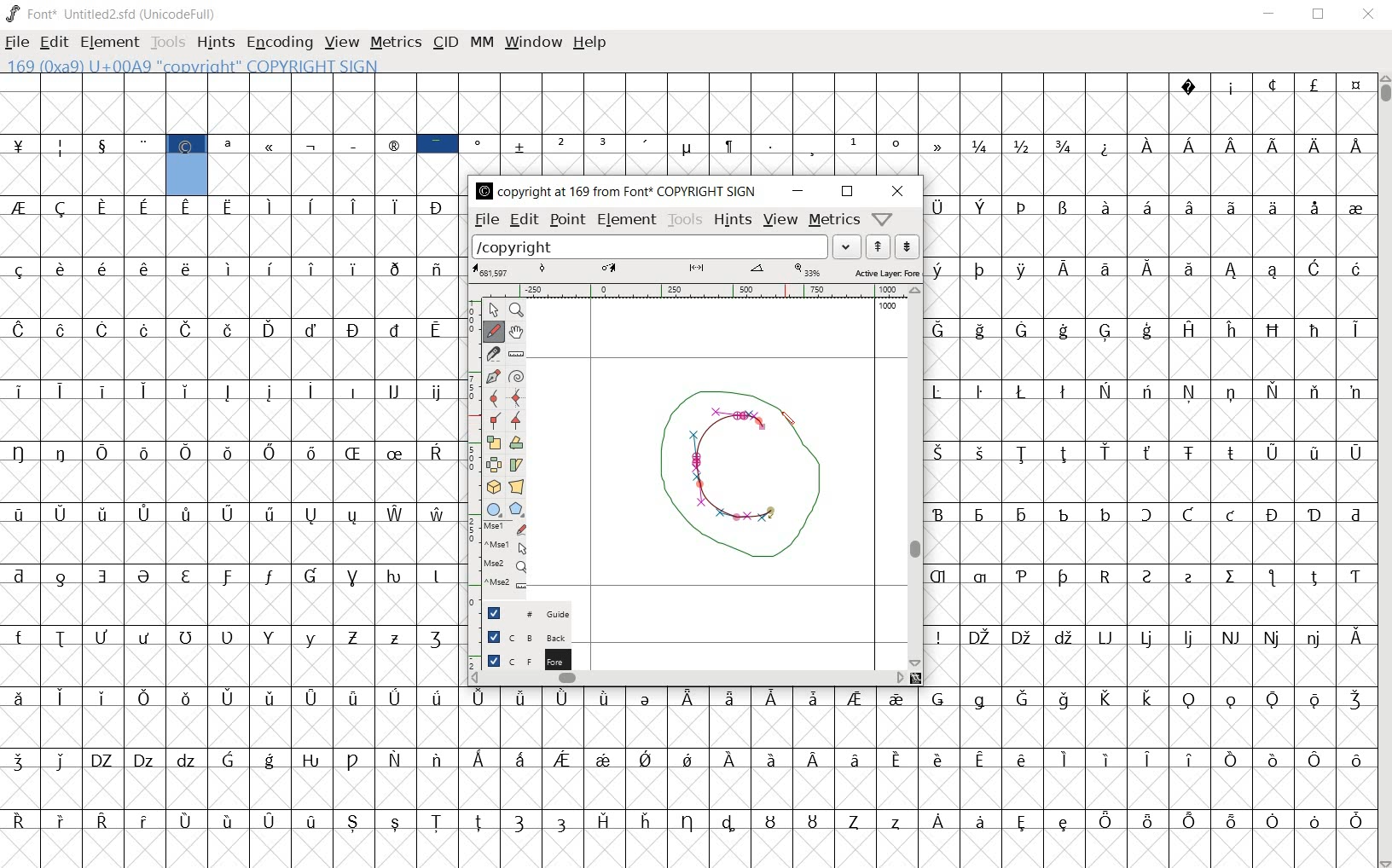  What do you see at coordinates (493, 486) in the screenshot?
I see `rotate the selection in 3D and project back to plane` at bounding box center [493, 486].